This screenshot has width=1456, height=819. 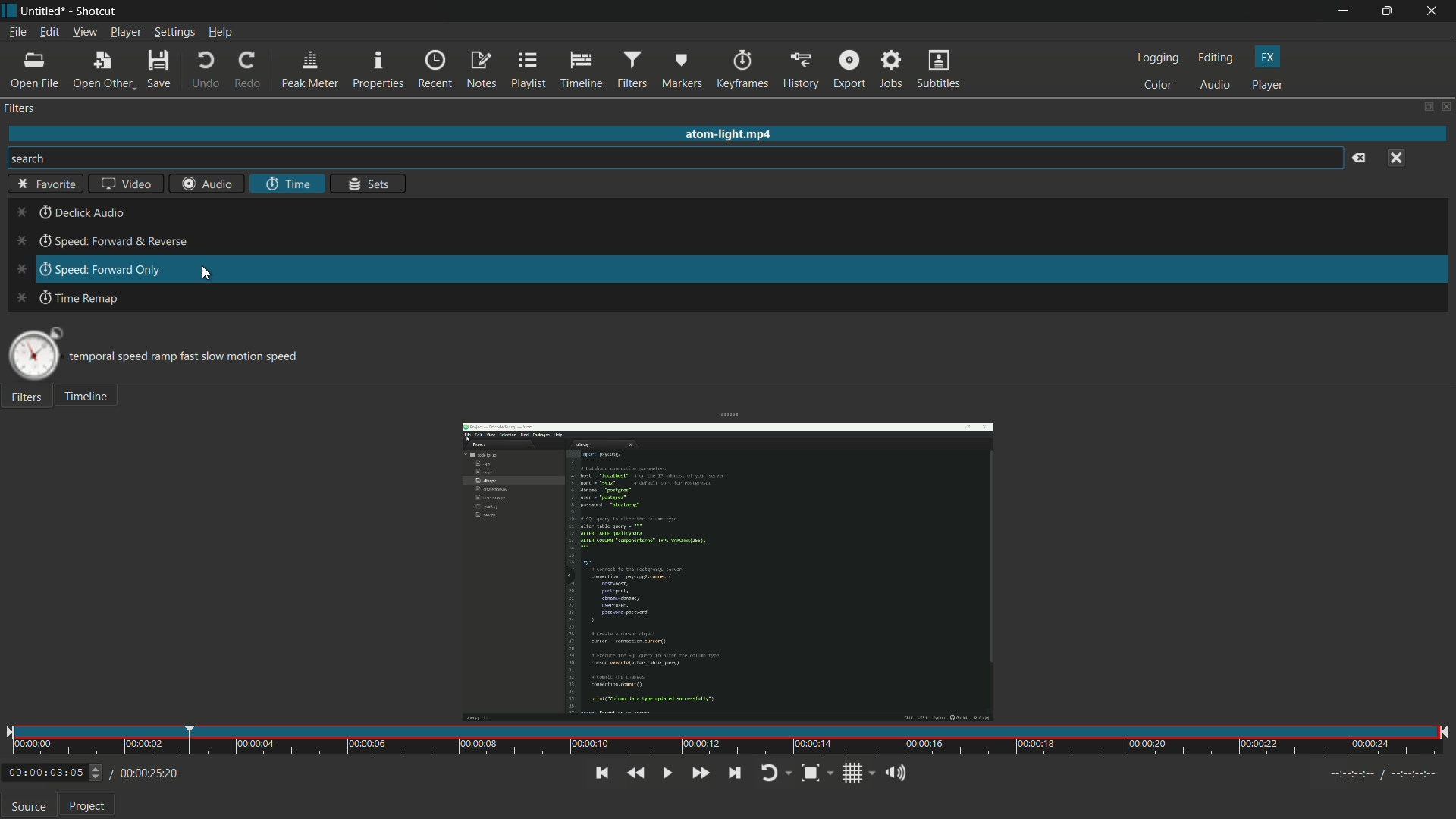 I want to click on Filters, so click(x=29, y=400).